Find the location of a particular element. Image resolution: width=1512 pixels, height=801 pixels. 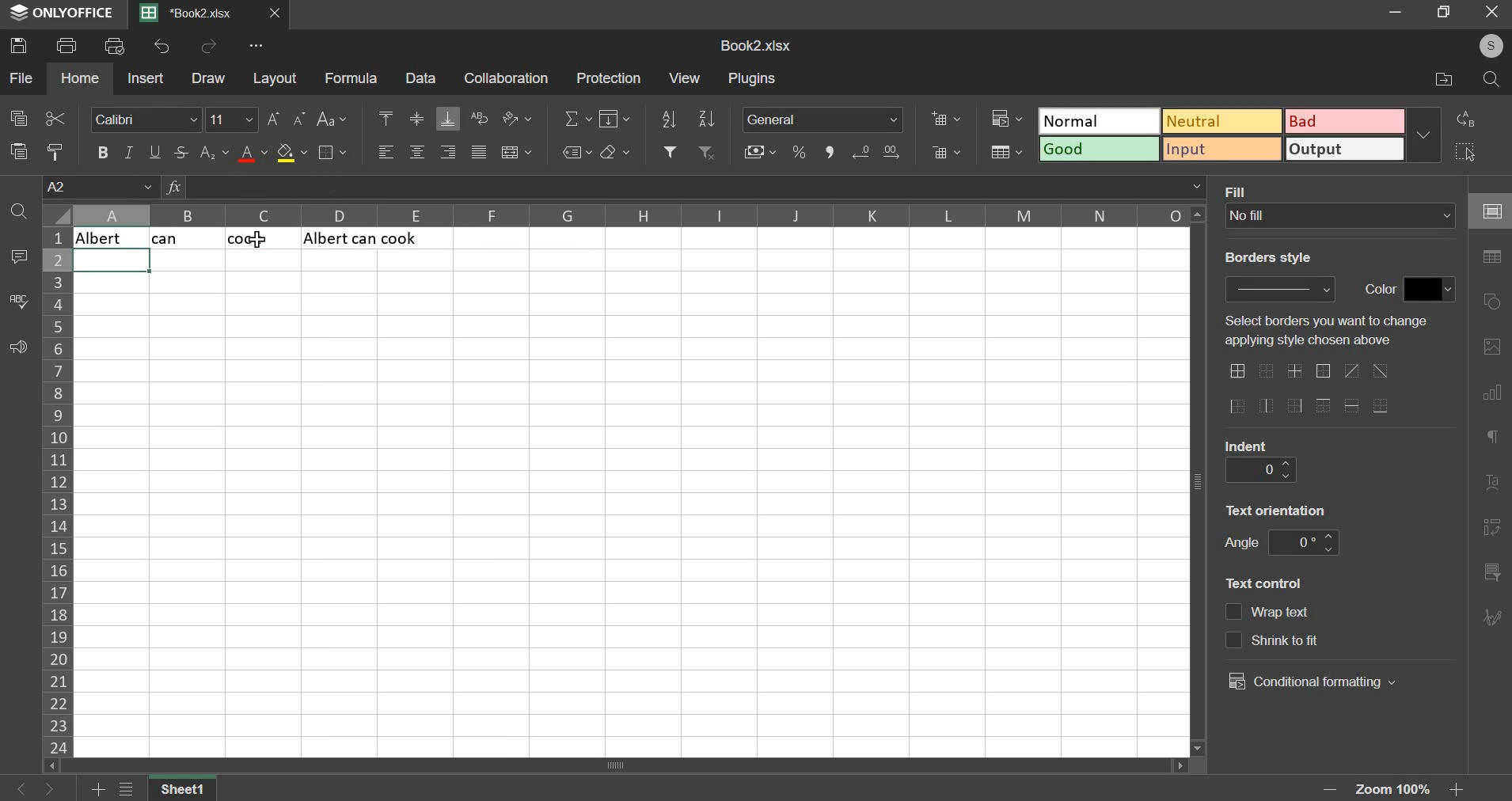

table is located at coordinates (1492, 257).